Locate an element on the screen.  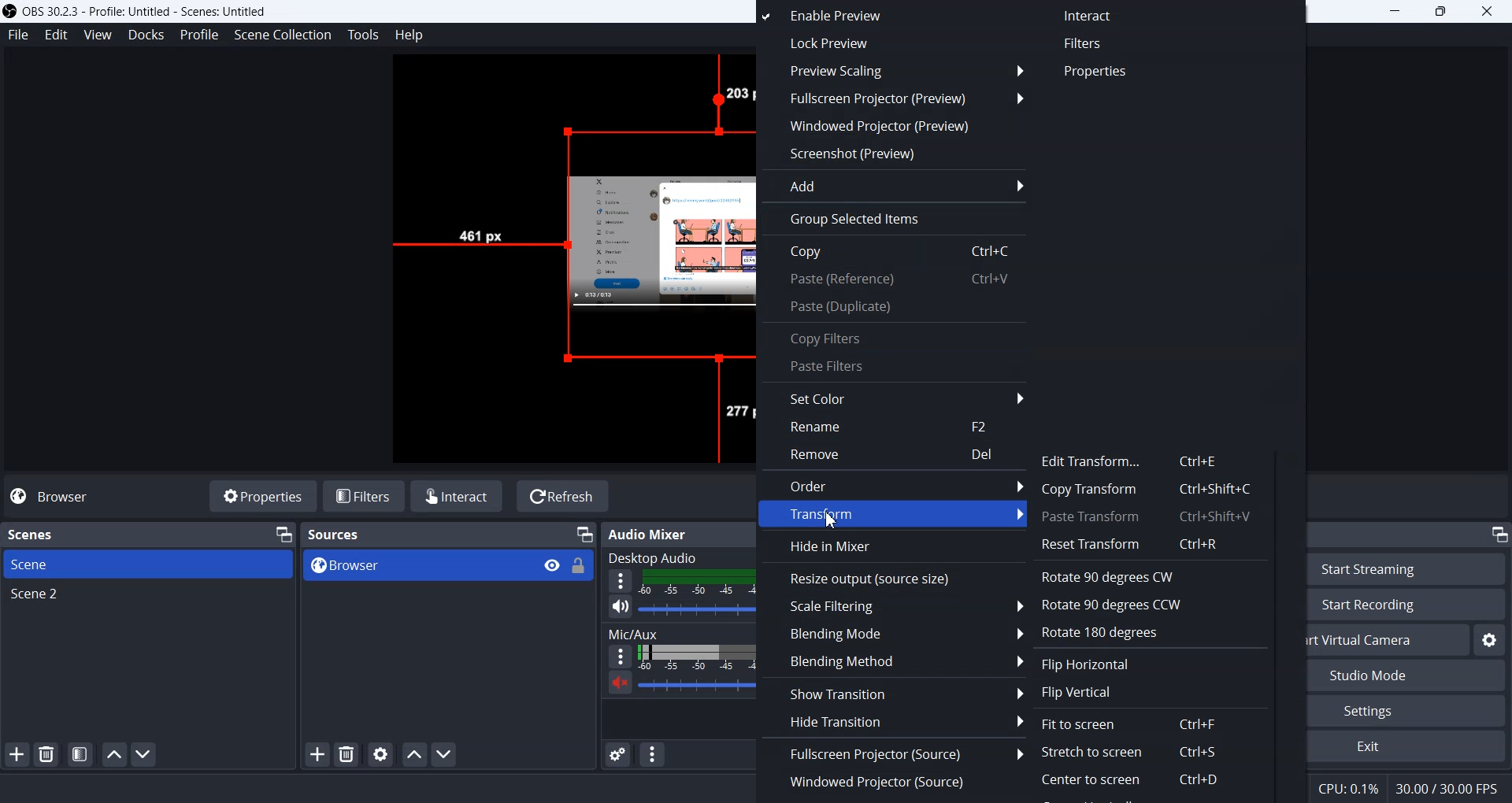
Browser is located at coordinates (405, 565).